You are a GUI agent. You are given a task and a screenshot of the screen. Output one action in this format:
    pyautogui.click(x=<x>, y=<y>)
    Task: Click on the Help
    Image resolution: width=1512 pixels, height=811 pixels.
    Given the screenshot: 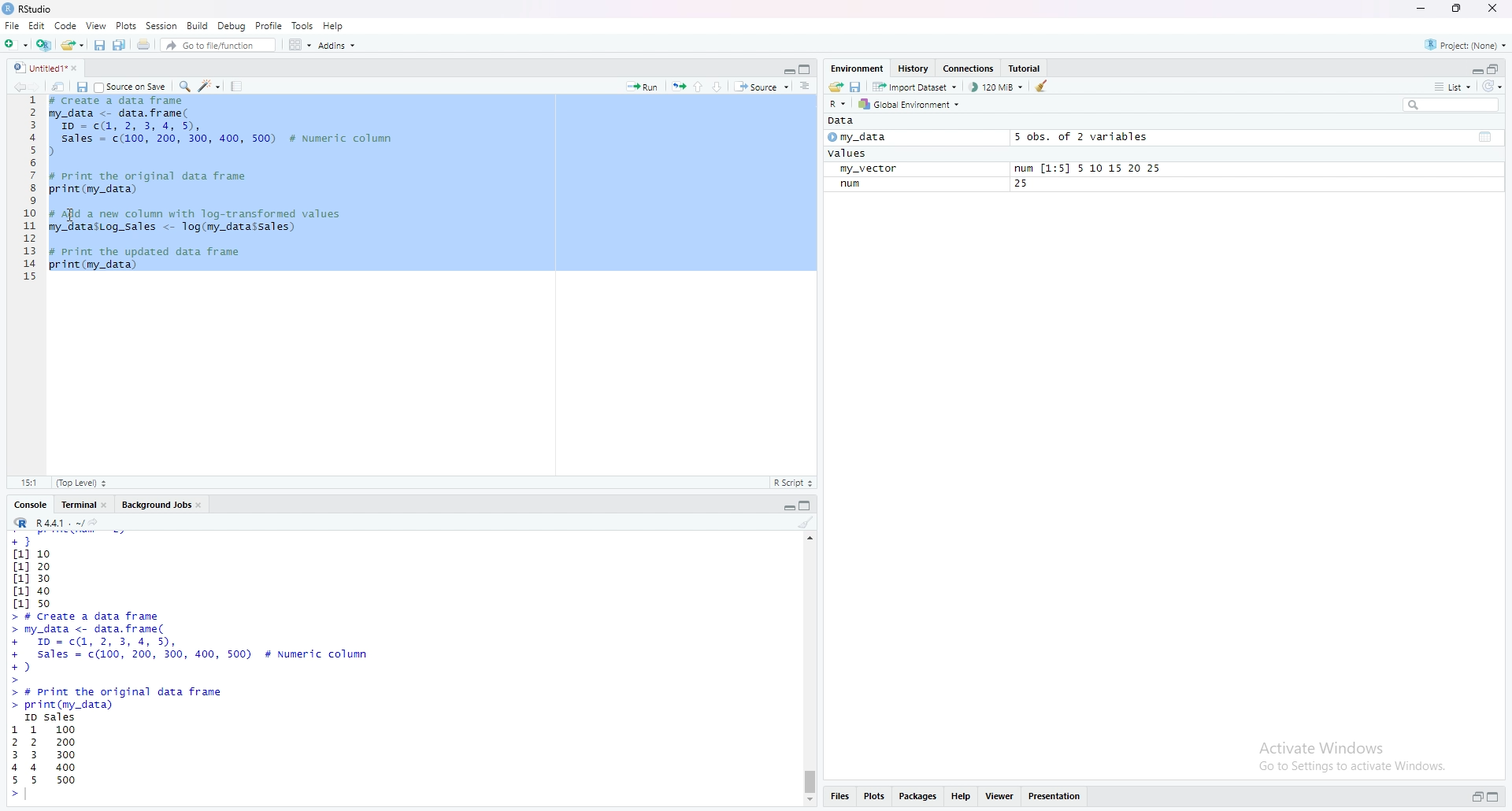 What is the action you would take?
    pyautogui.click(x=338, y=24)
    